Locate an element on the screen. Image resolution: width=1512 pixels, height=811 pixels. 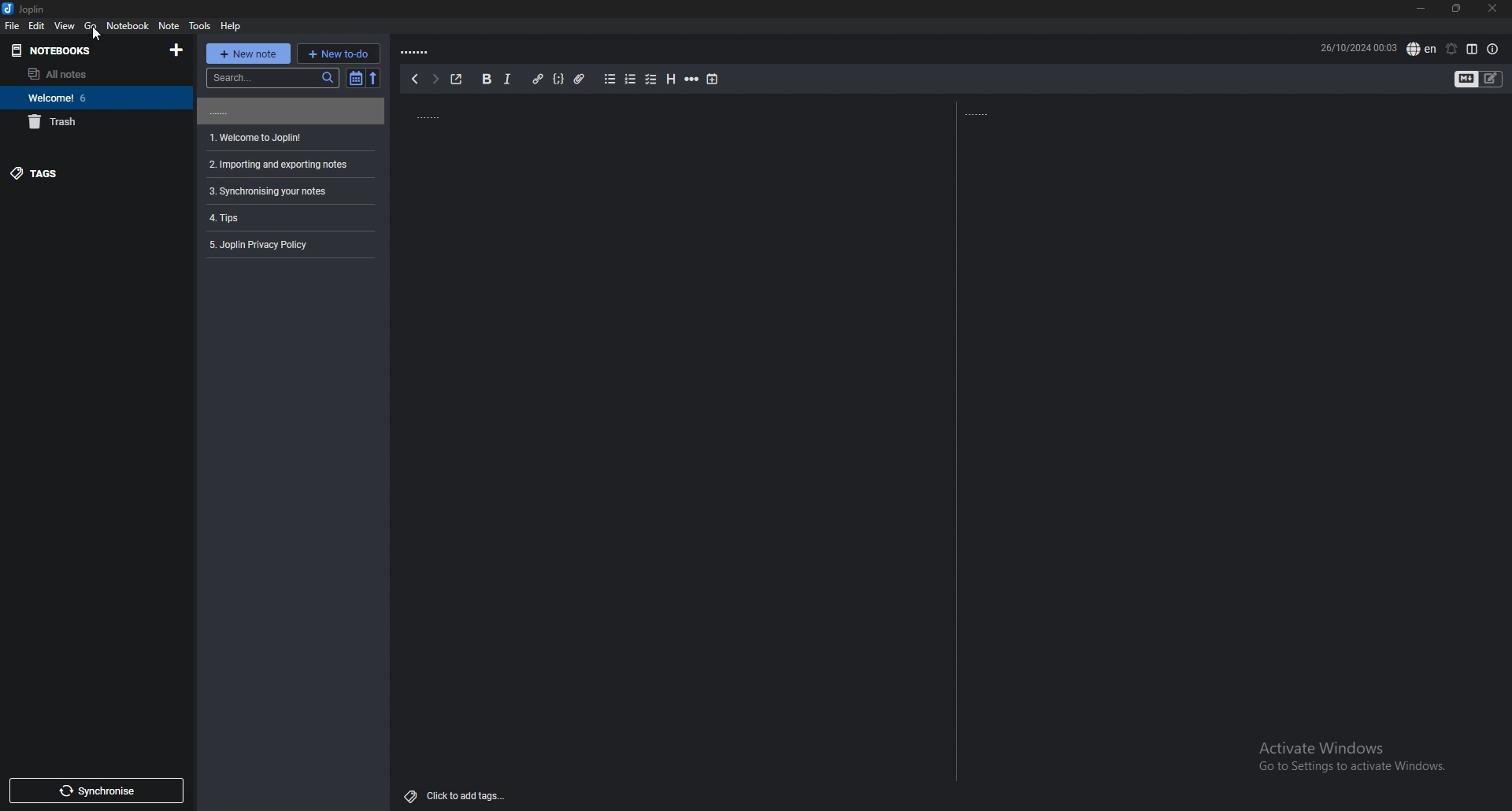
heading is located at coordinates (670, 79).